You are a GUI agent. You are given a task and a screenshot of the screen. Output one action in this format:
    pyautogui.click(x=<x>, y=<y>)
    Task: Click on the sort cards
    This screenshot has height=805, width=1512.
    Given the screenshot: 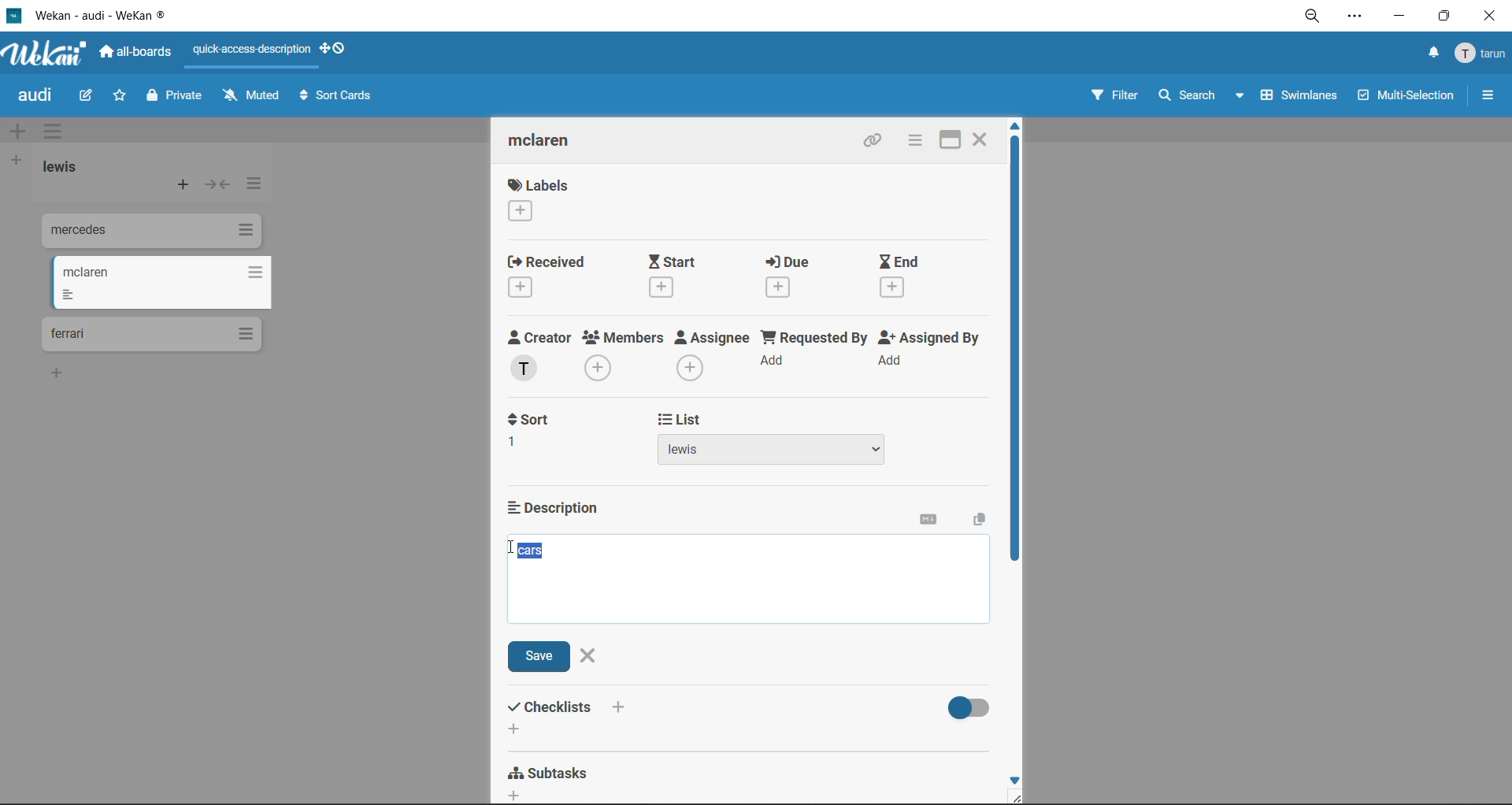 What is the action you would take?
    pyautogui.click(x=335, y=99)
    